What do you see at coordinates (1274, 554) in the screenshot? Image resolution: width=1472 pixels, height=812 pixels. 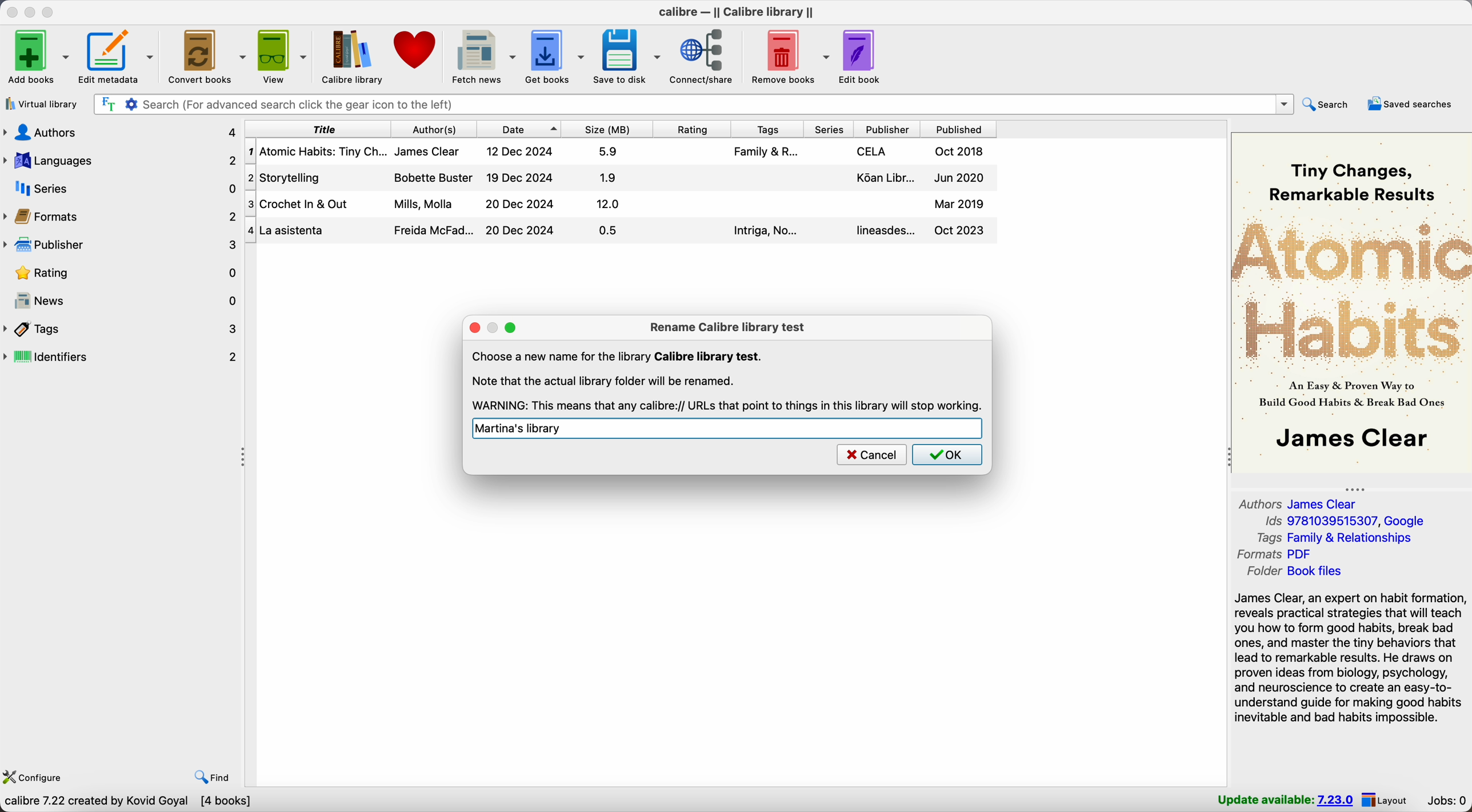 I see `formats PDF` at bounding box center [1274, 554].